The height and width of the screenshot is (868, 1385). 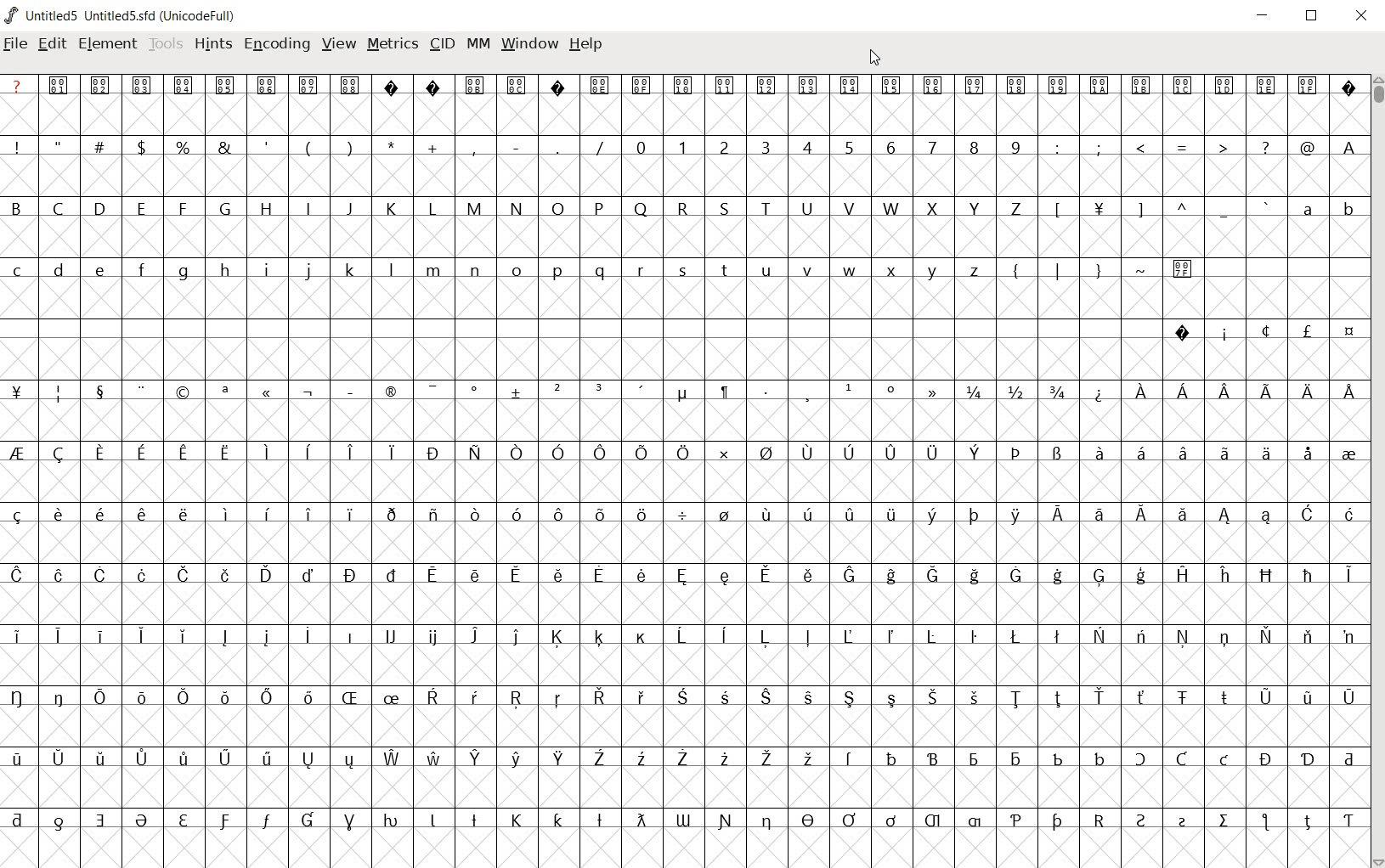 What do you see at coordinates (348, 208) in the screenshot?
I see `J` at bounding box center [348, 208].